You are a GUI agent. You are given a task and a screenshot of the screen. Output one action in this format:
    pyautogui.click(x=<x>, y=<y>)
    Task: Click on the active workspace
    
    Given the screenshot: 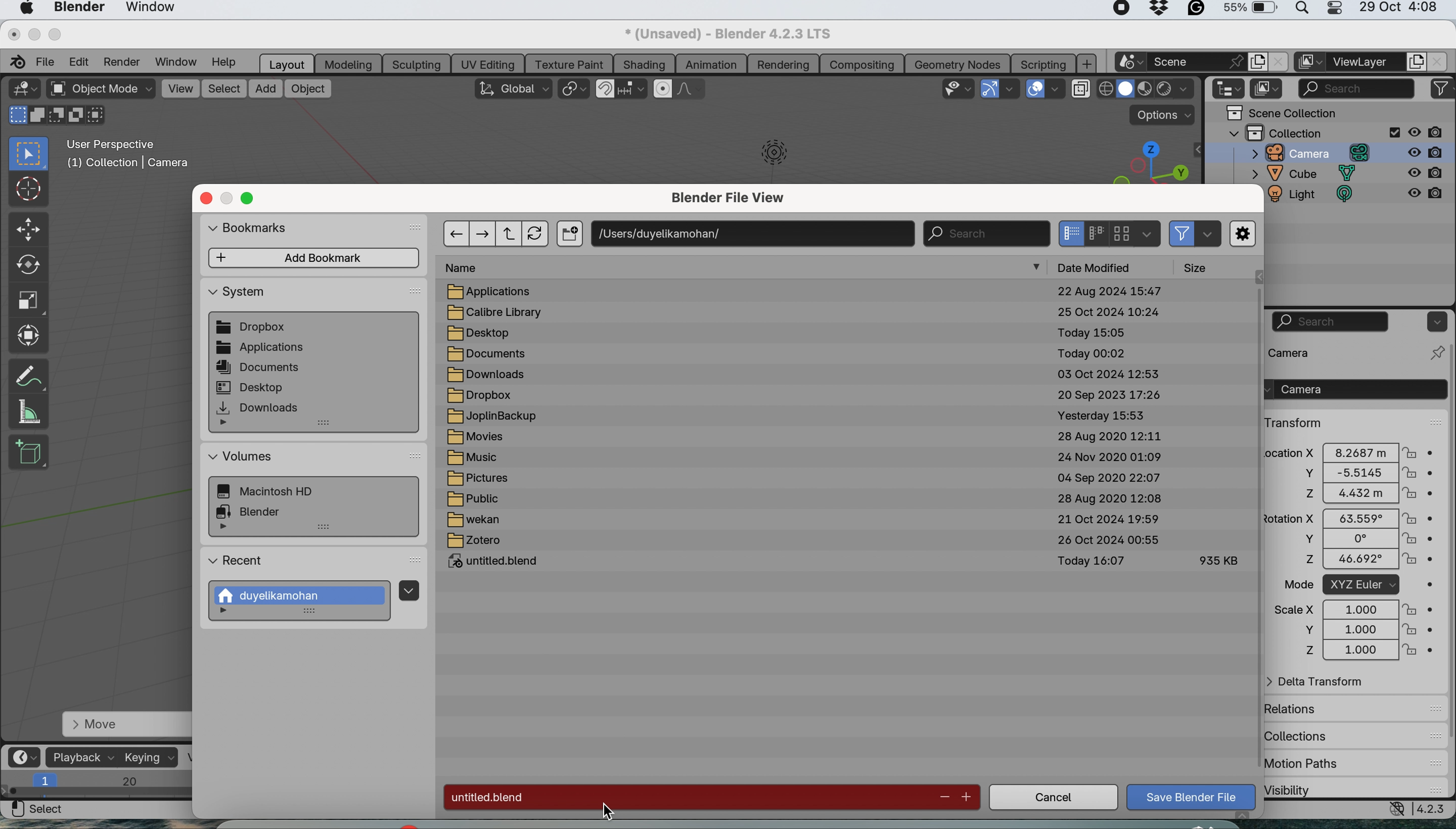 What is the action you would take?
    pyautogui.click(x=1310, y=62)
    